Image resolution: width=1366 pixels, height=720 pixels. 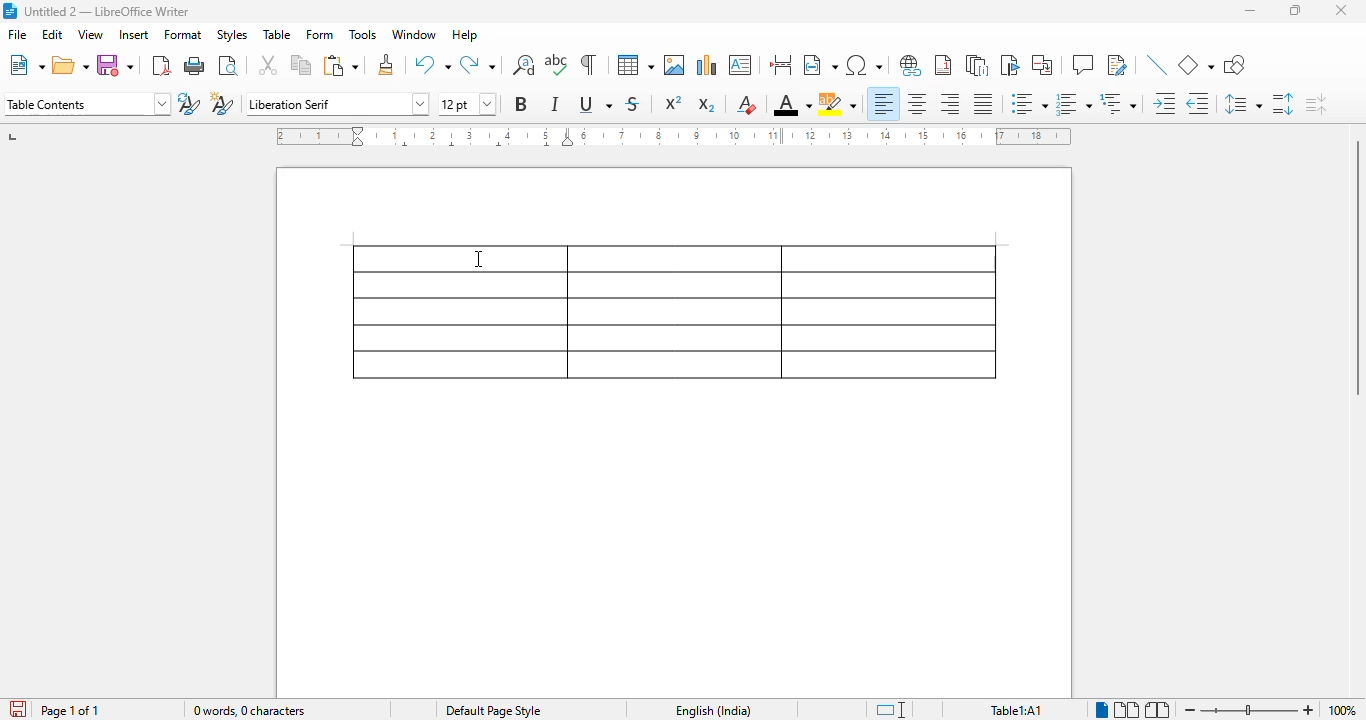 I want to click on decrease paragraph spacing, so click(x=1316, y=104).